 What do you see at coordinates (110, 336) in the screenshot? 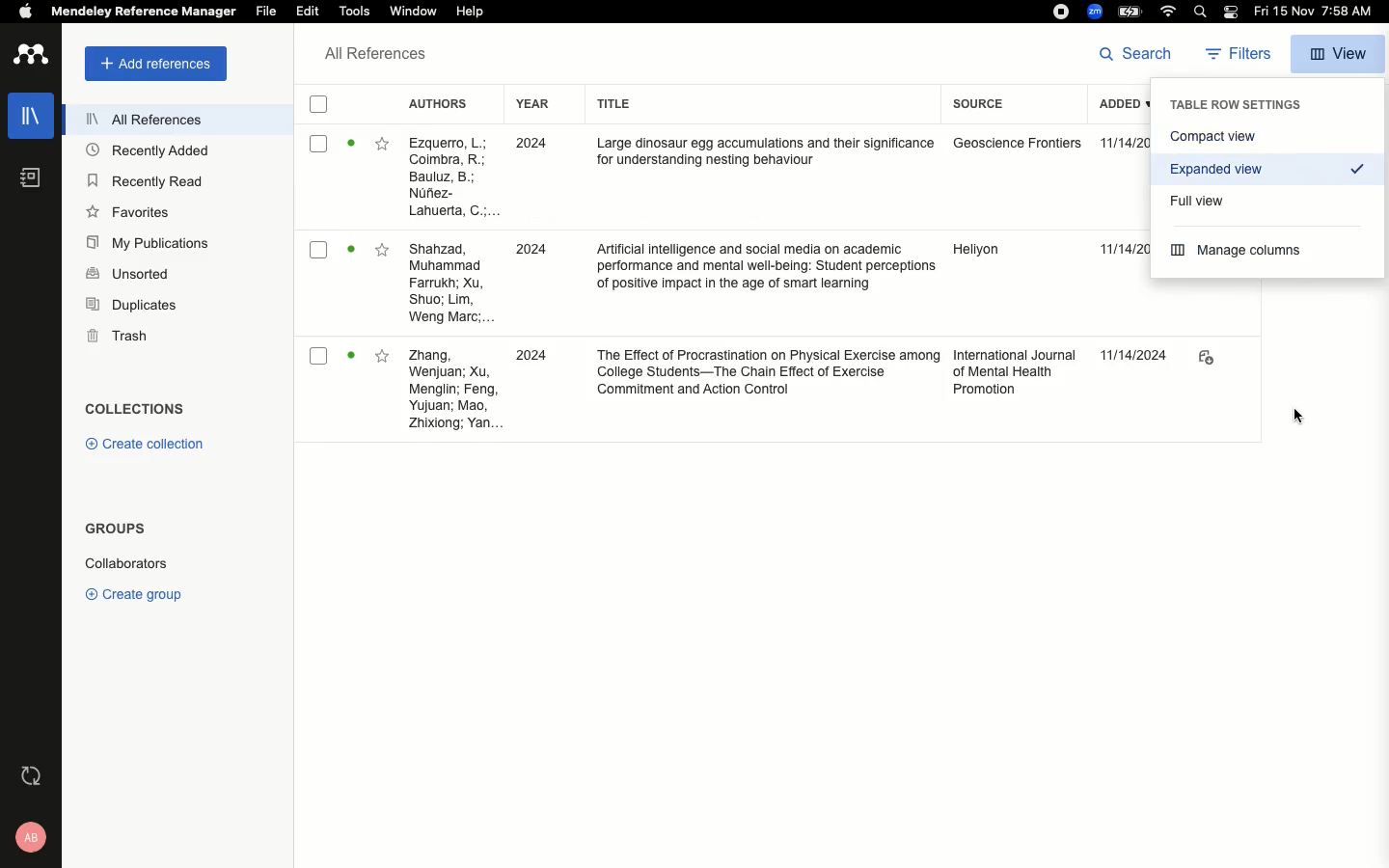
I see `Trash` at bounding box center [110, 336].